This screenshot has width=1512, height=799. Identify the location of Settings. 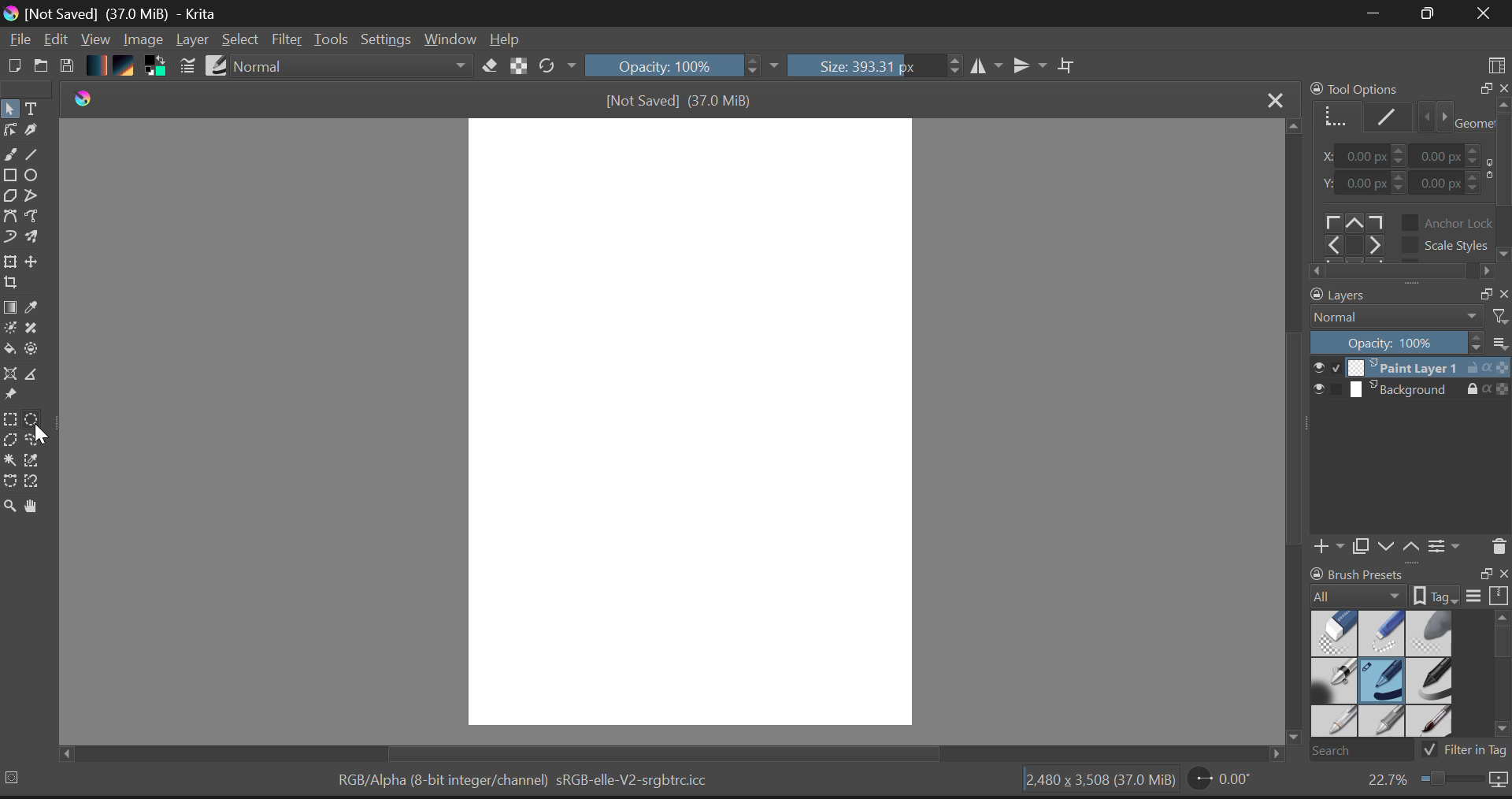
(387, 40).